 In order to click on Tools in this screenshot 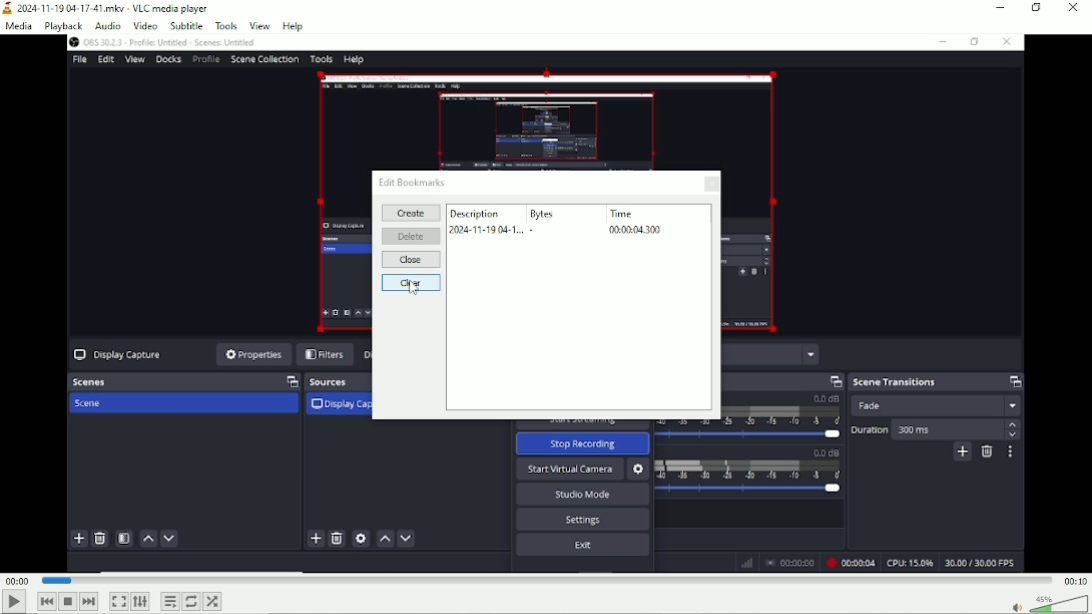, I will do `click(226, 26)`.